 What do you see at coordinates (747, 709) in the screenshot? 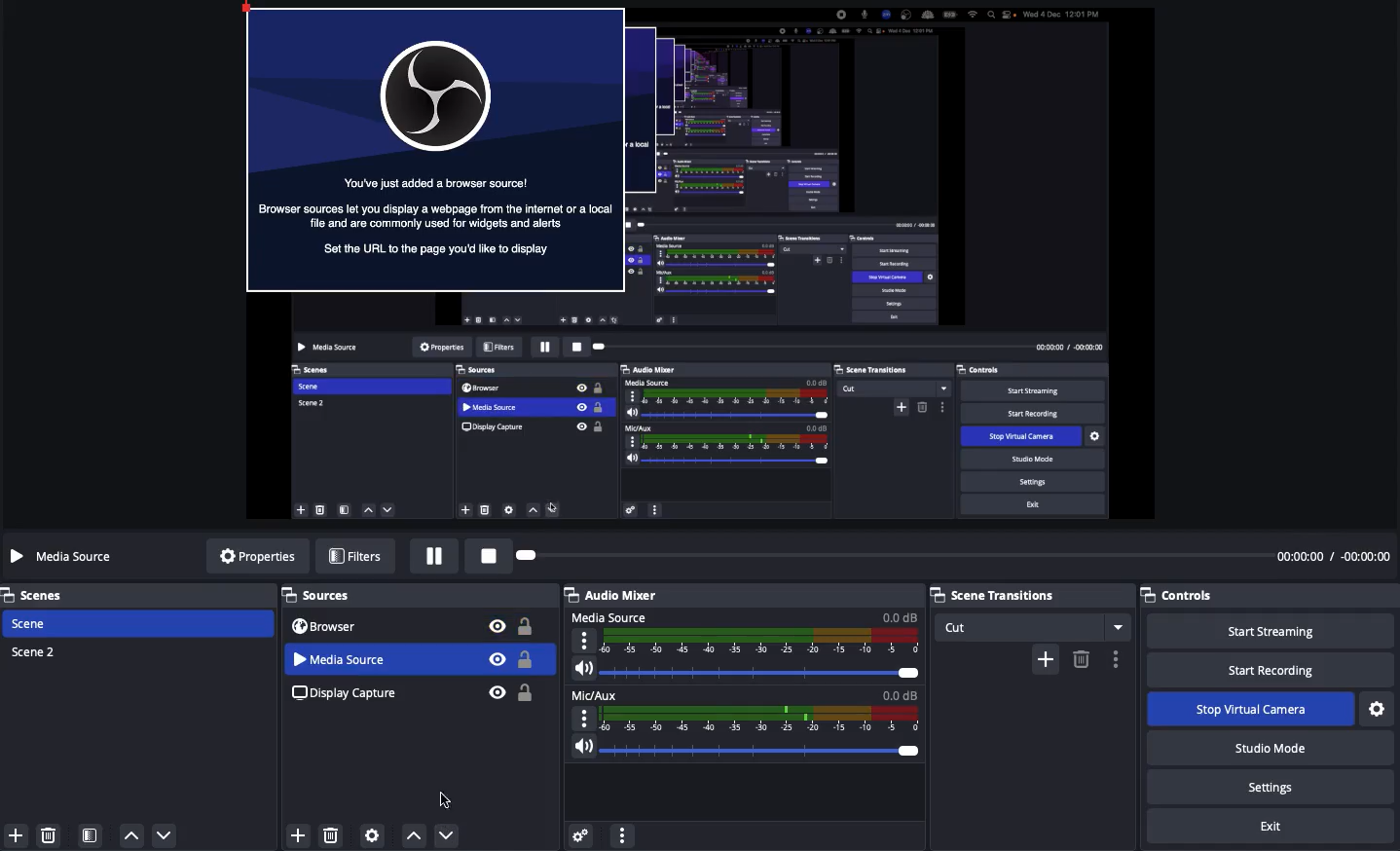
I see `Mic aux` at bounding box center [747, 709].